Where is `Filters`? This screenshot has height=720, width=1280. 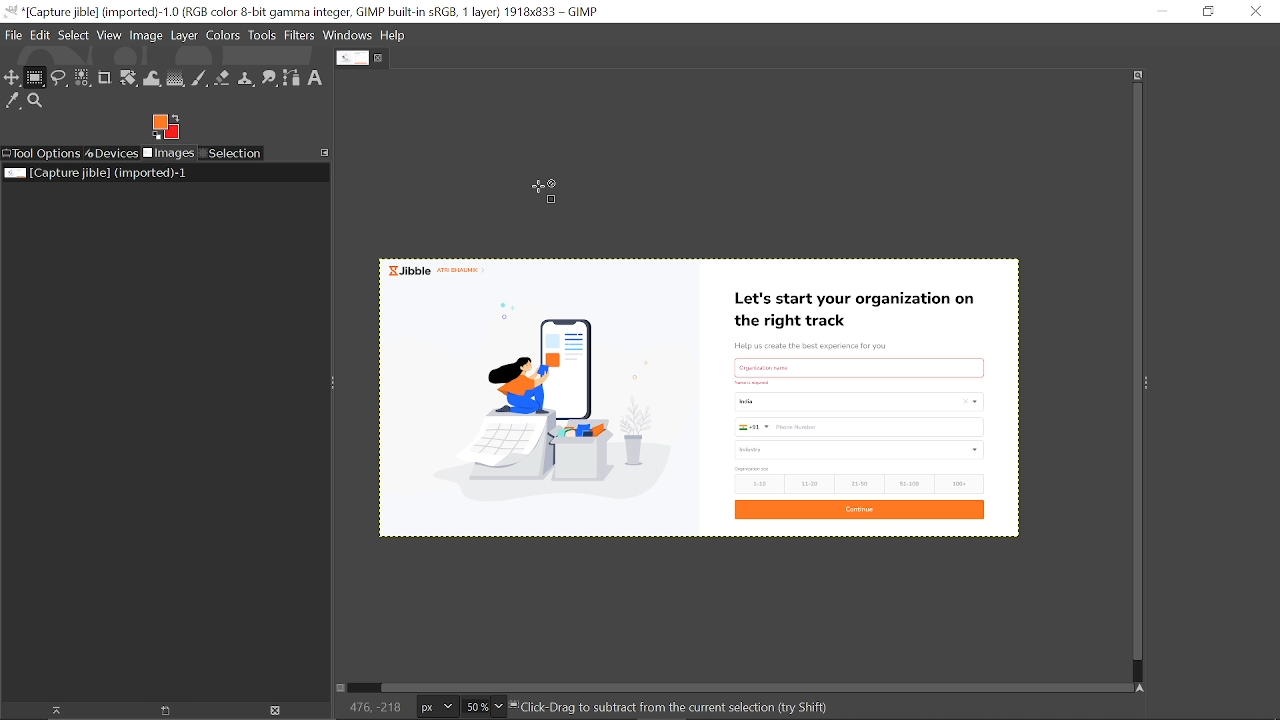 Filters is located at coordinates (300, 36).